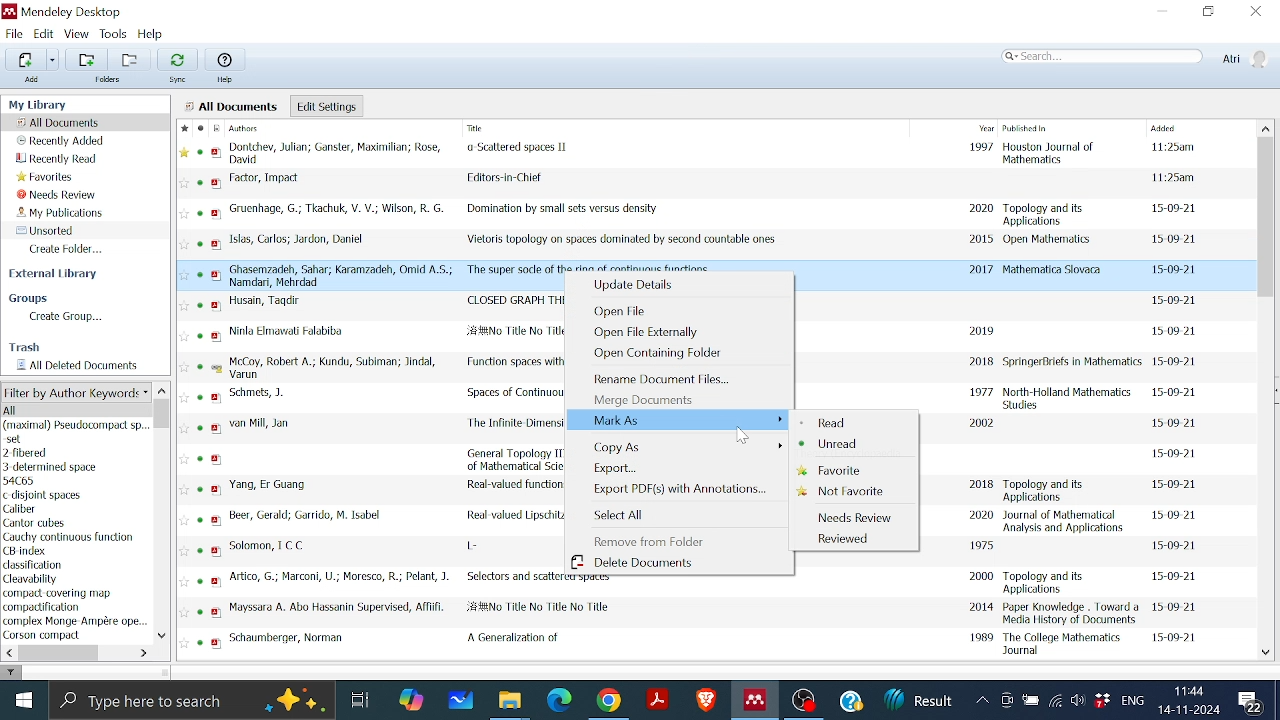 The height and width of the screenshot is (720, 1280). What do you see at coordinates (75, 431) in the screenshot?
I see `(maximal) Pseudocompact` at bounding box center [75, 431].